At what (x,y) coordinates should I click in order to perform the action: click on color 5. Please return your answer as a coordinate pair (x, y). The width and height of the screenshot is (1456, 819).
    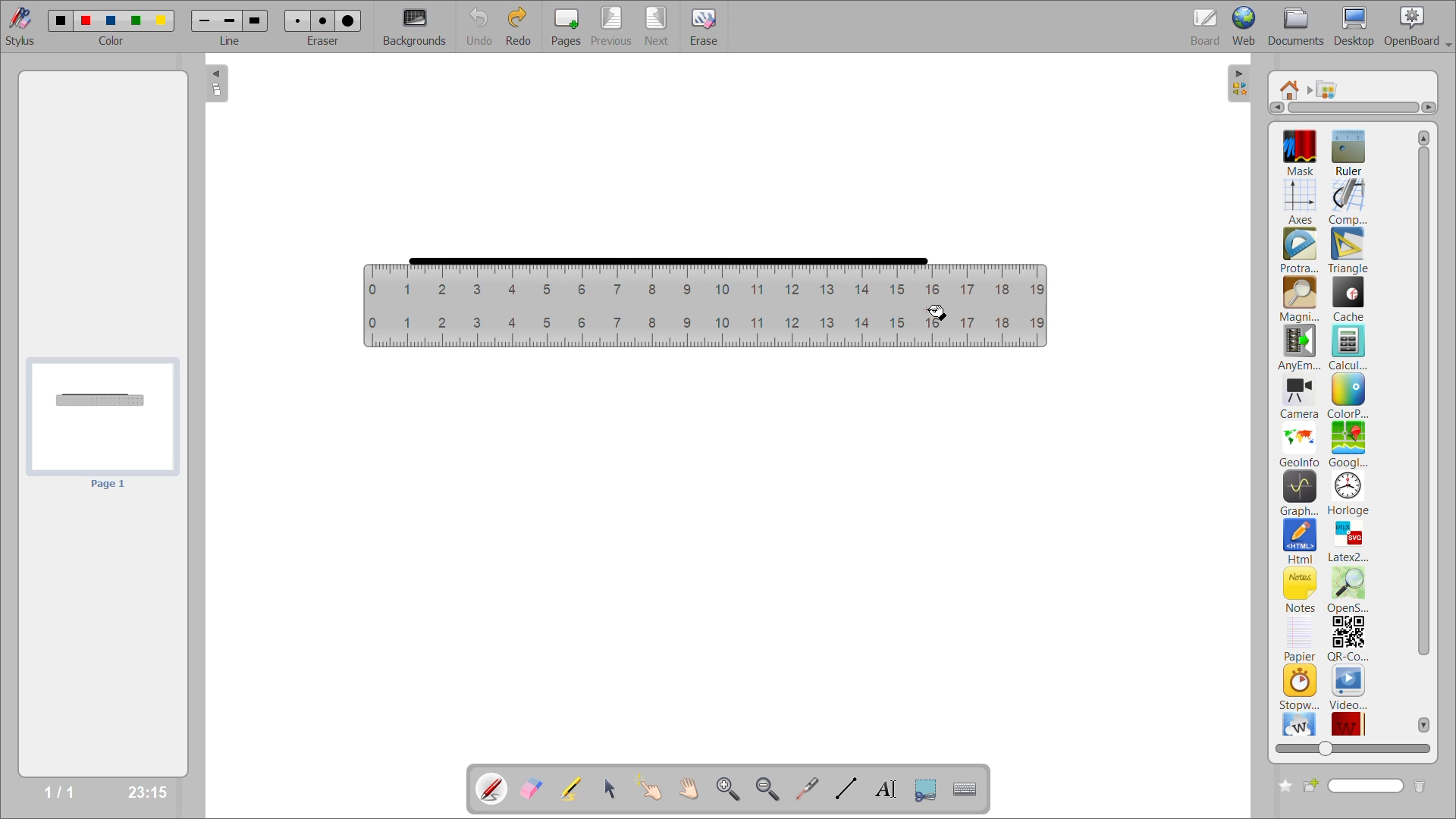
    Looking at the image, I should click on (159, 20).